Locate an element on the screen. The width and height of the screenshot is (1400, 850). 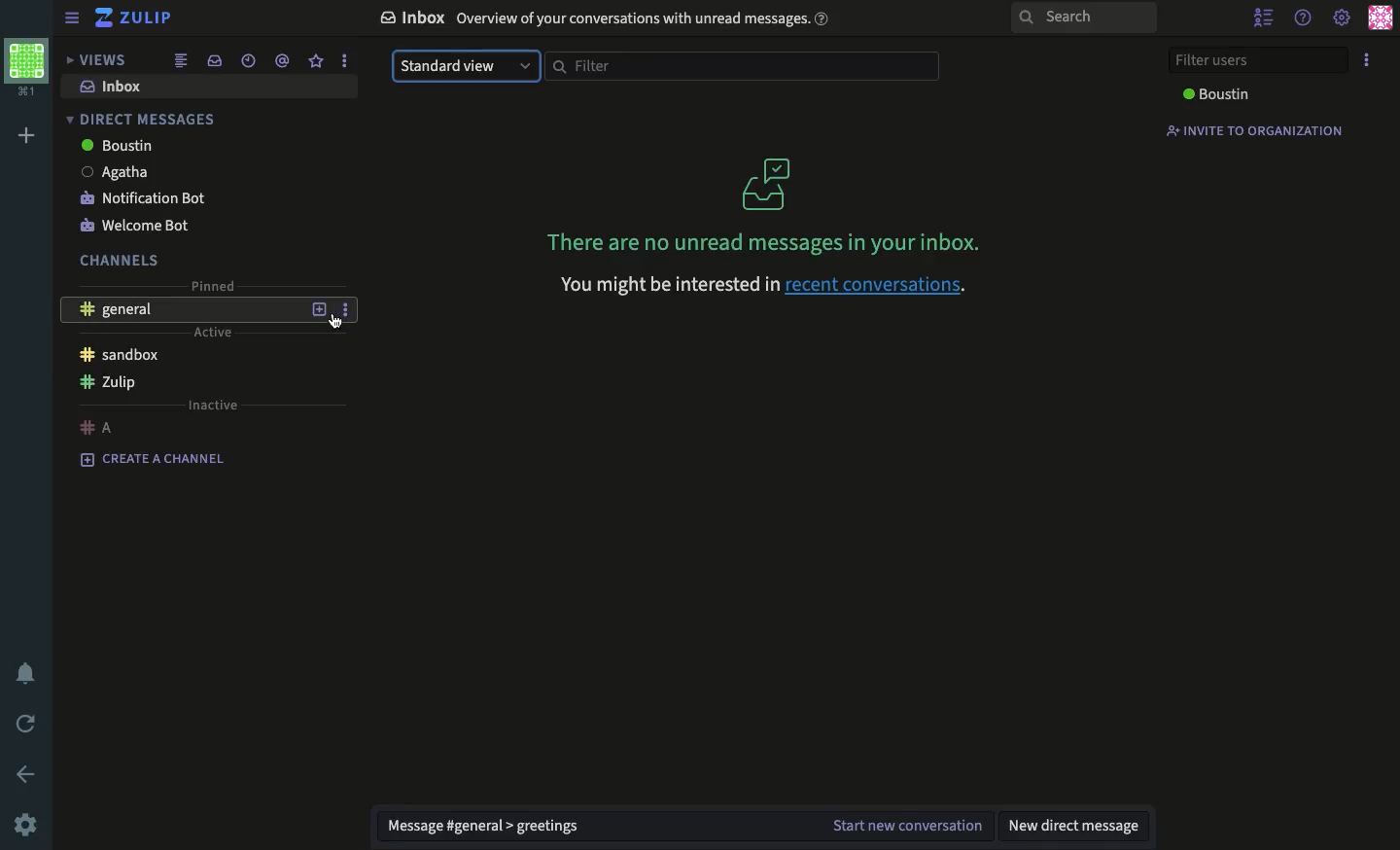
new direct message is located at coordinates (1079, 826).